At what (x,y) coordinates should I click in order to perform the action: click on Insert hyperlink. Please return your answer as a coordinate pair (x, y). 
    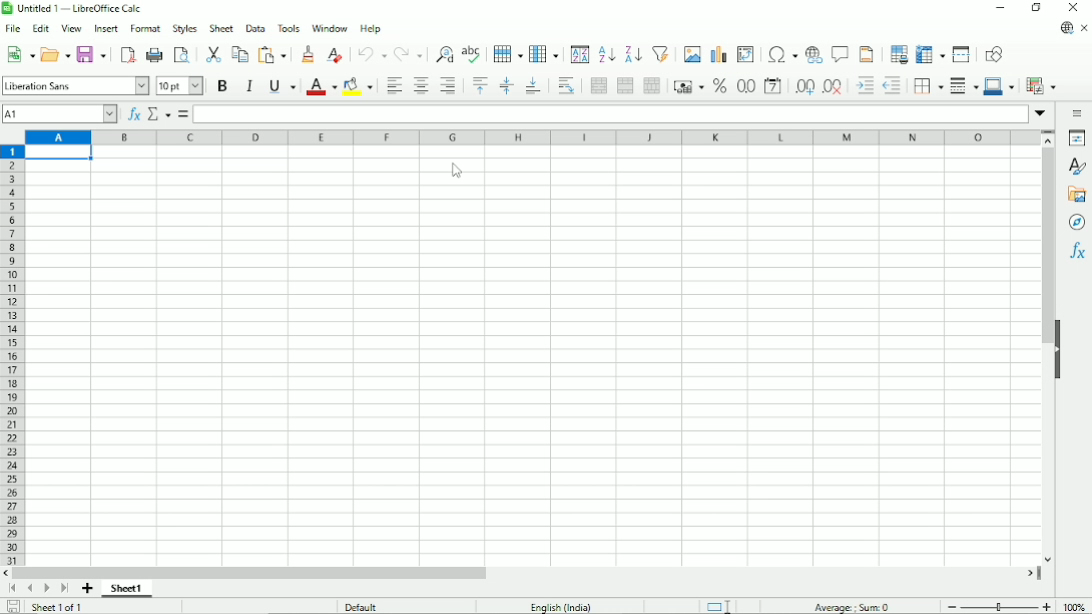
    Looking at the image, I should click on (814, 53).